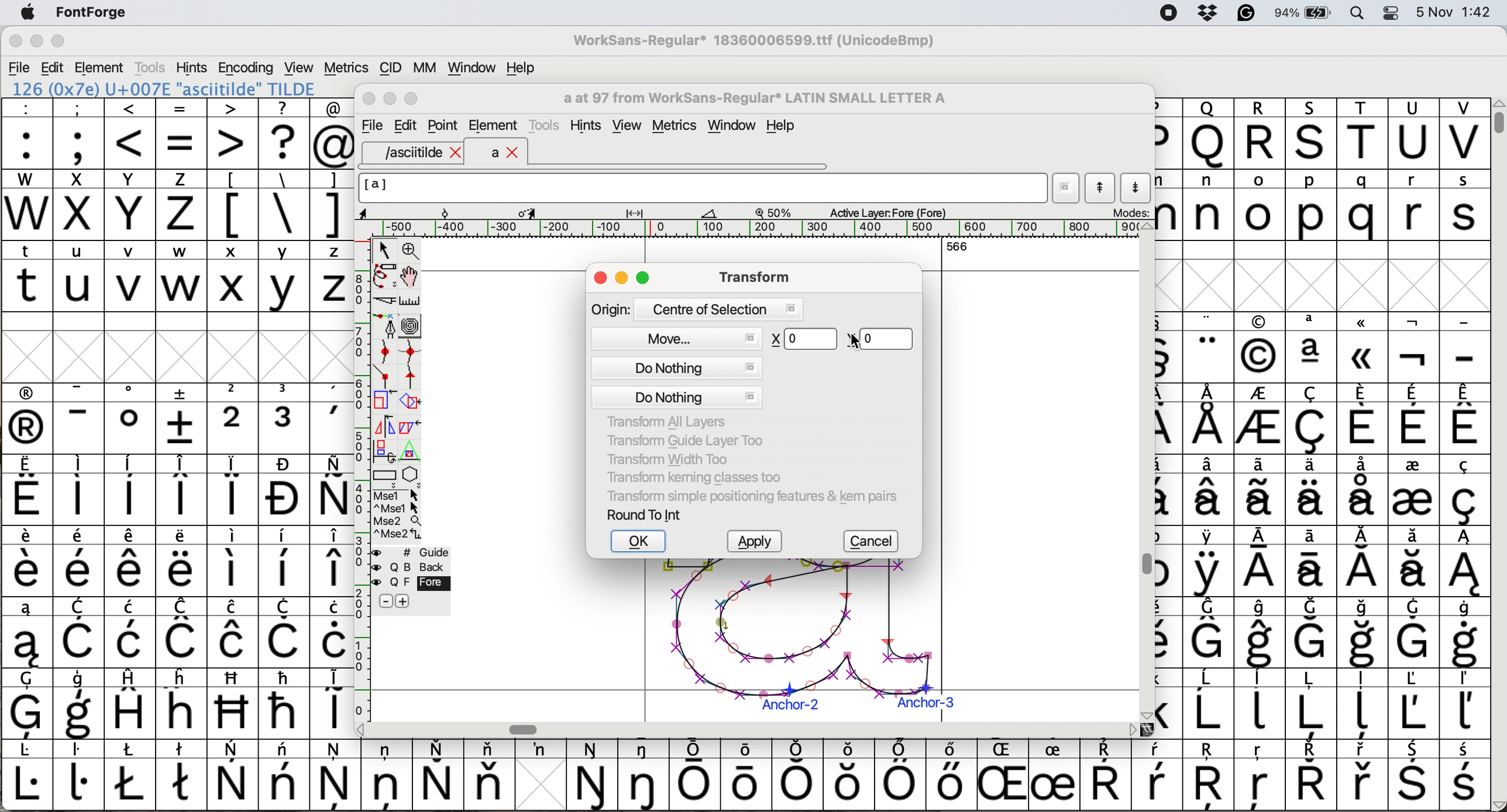 The height and width of the screenshot is (812, 1507). Describe the element at coordinates (1211, 490) in the screenshot. I see `symbol` at that location.